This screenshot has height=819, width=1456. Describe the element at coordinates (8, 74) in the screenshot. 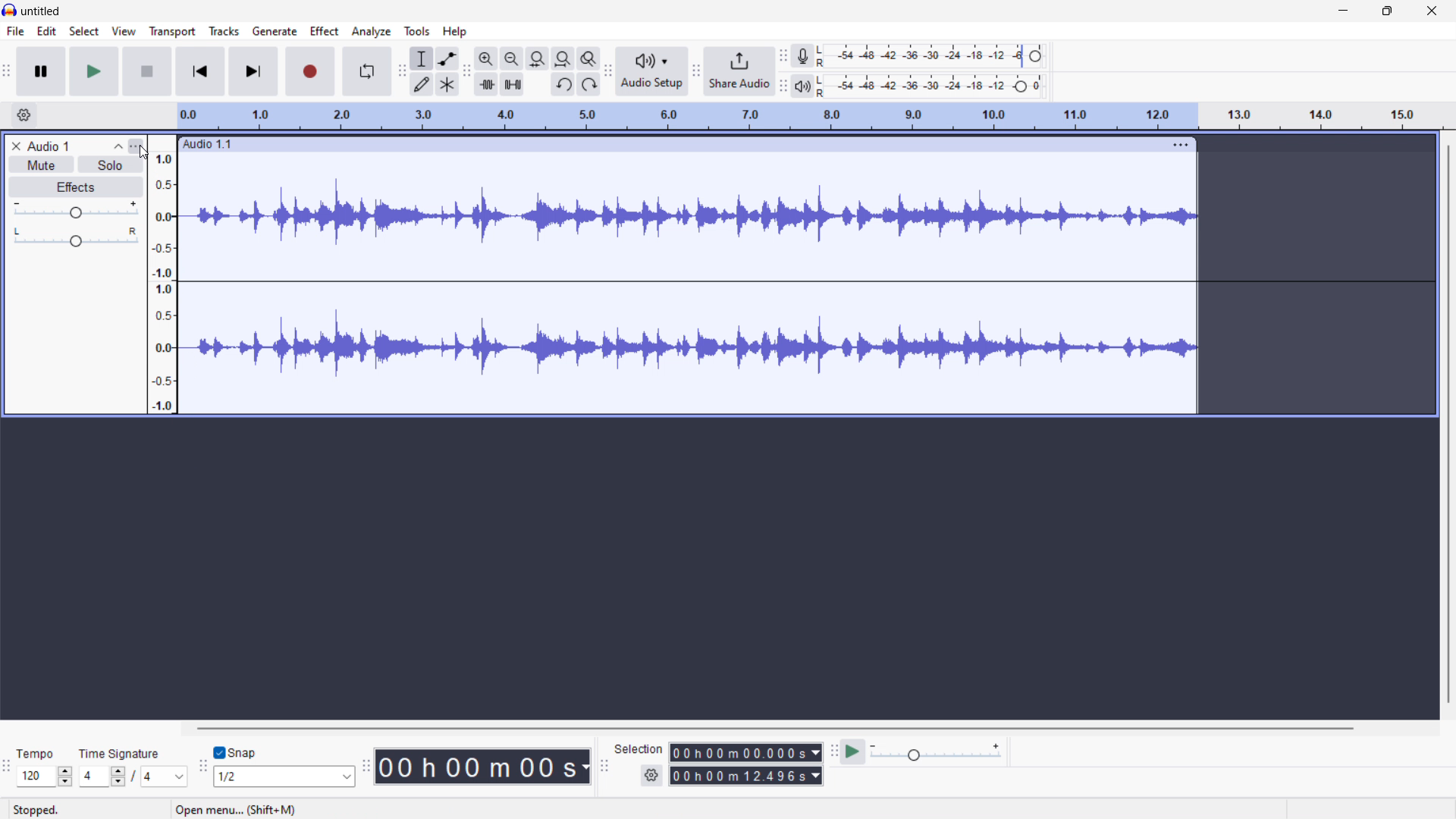

I see `transport toolbar` at that location.